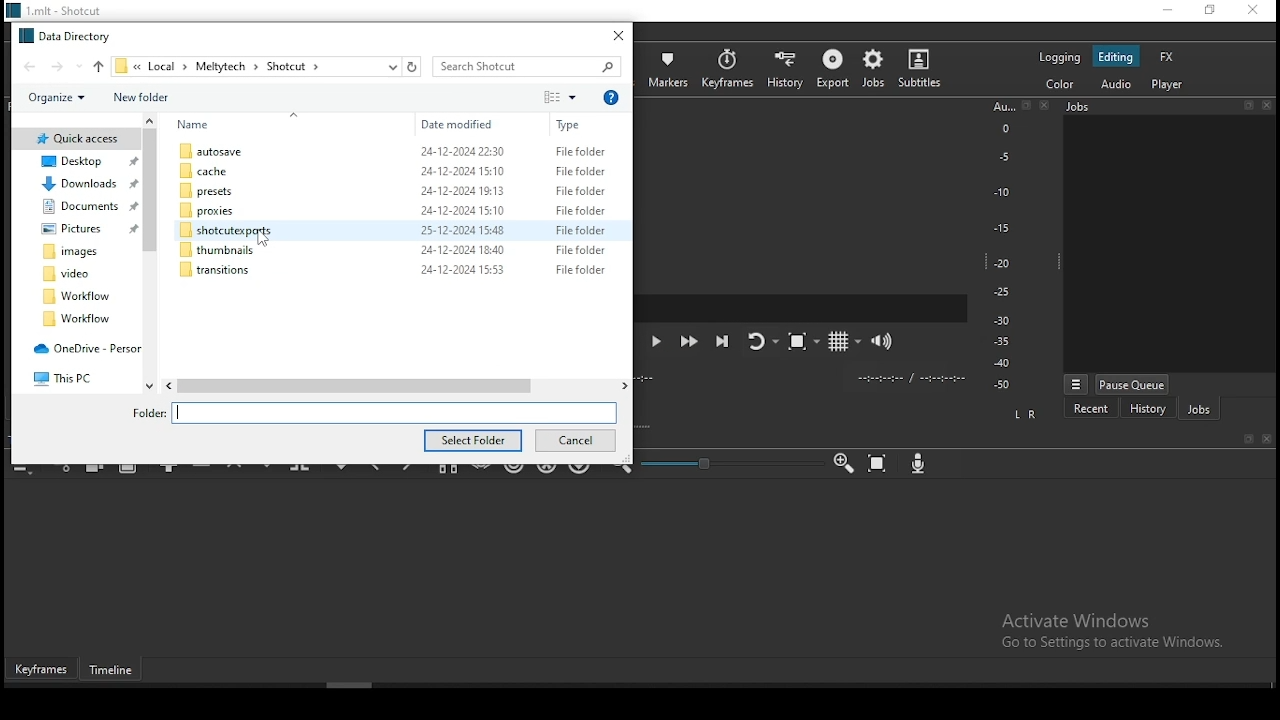 The height and width of the screenshot is (720, 1280). What do you see at coordinates (885, 338) in the screenshot?
I see `show volume control` at bounding box center [885, 338].